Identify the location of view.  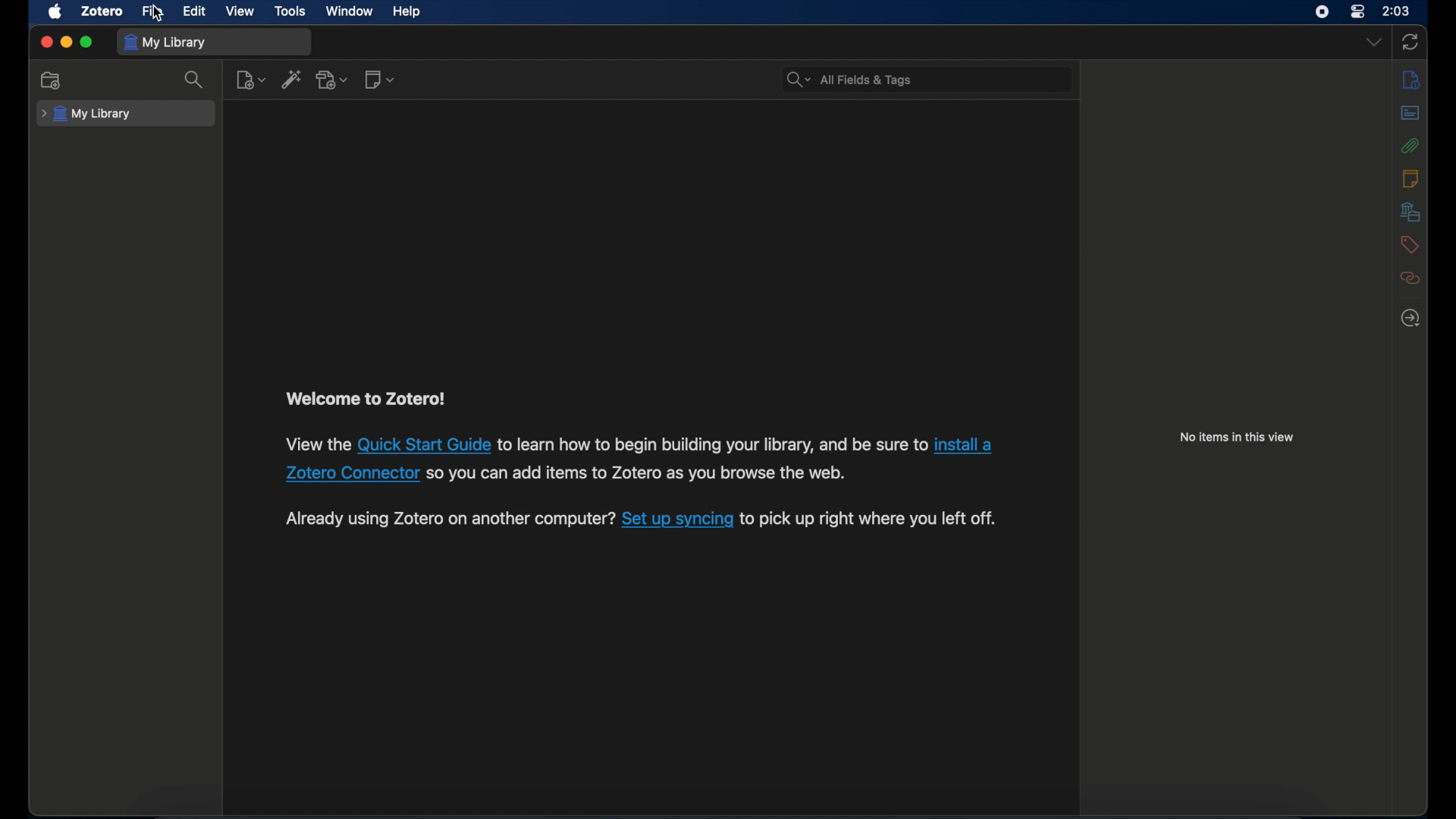
(242, 11).